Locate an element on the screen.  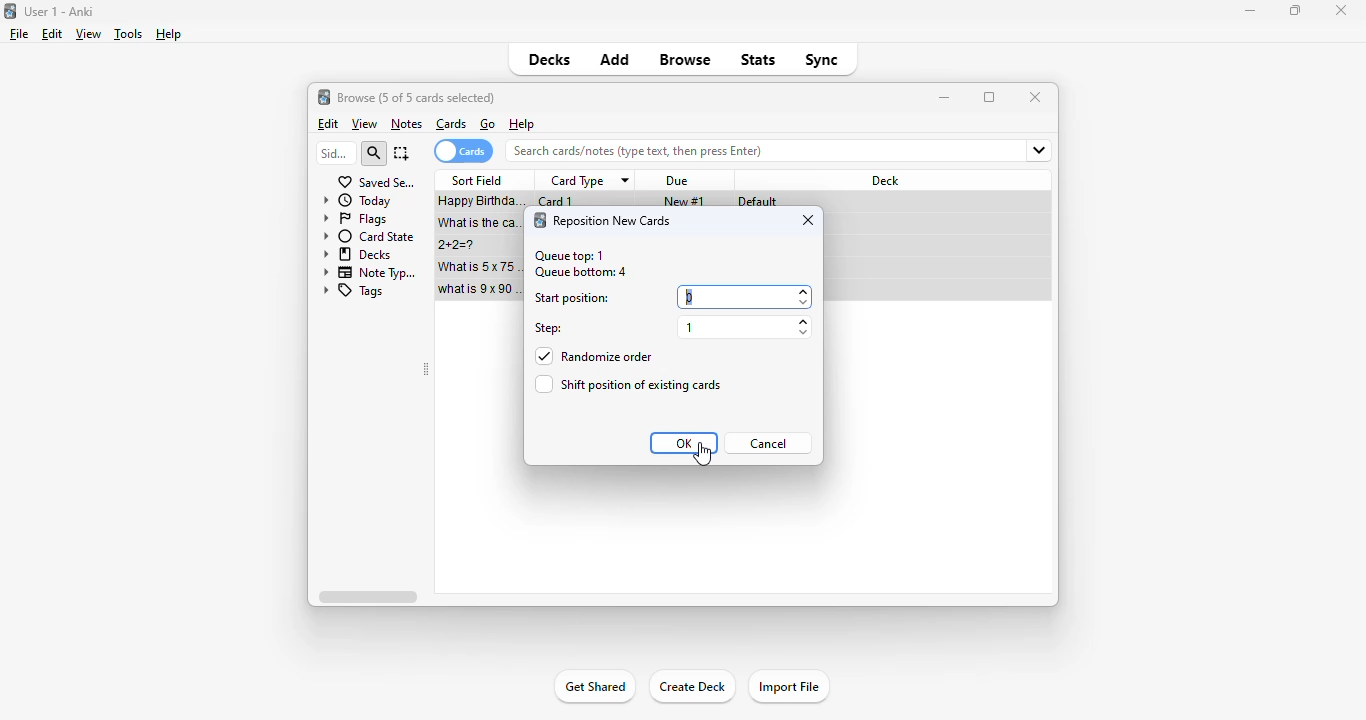
today is located at coordinates (356, 201).